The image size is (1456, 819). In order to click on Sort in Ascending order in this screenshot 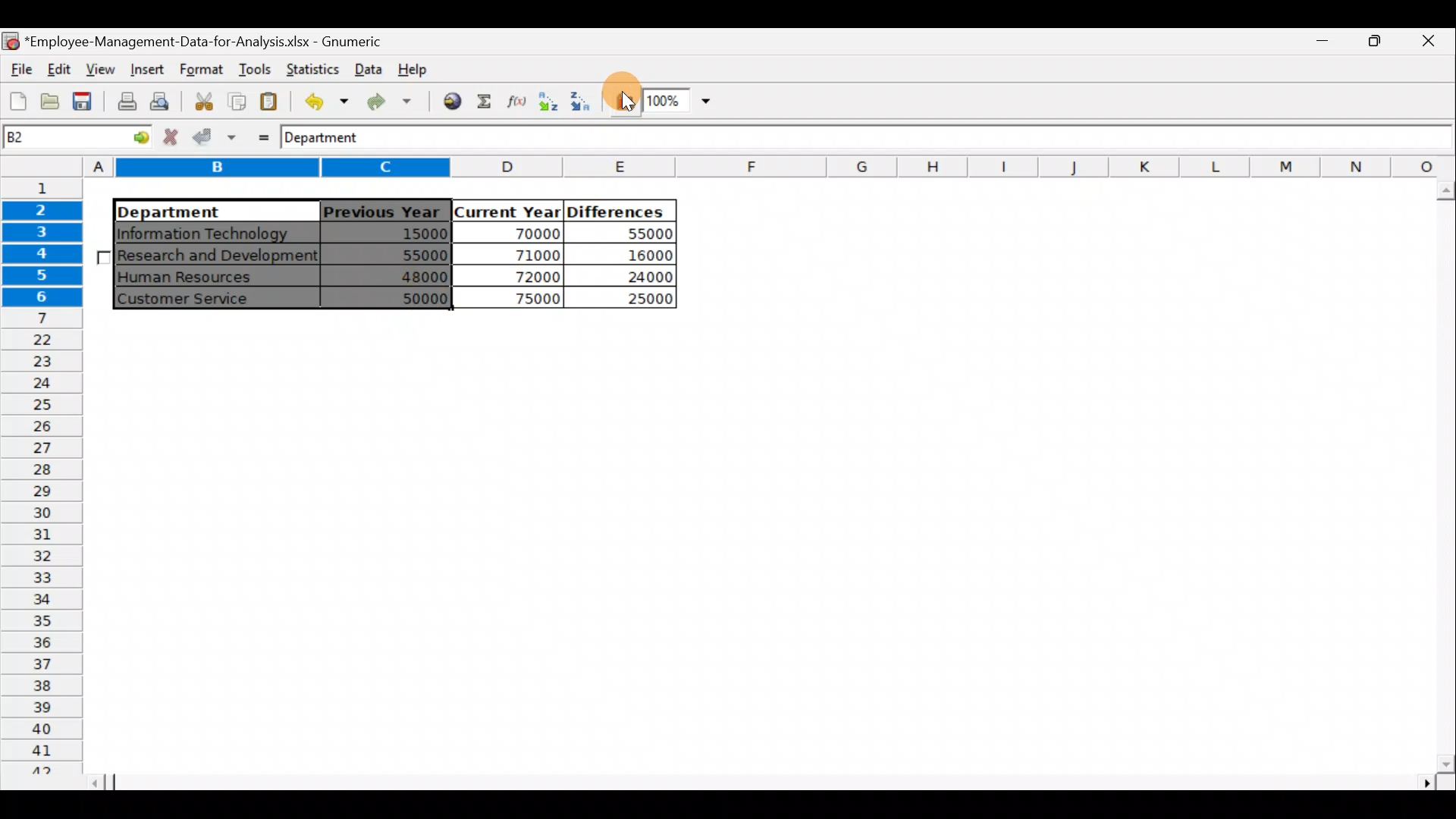, I will do `click(548, 101)`.